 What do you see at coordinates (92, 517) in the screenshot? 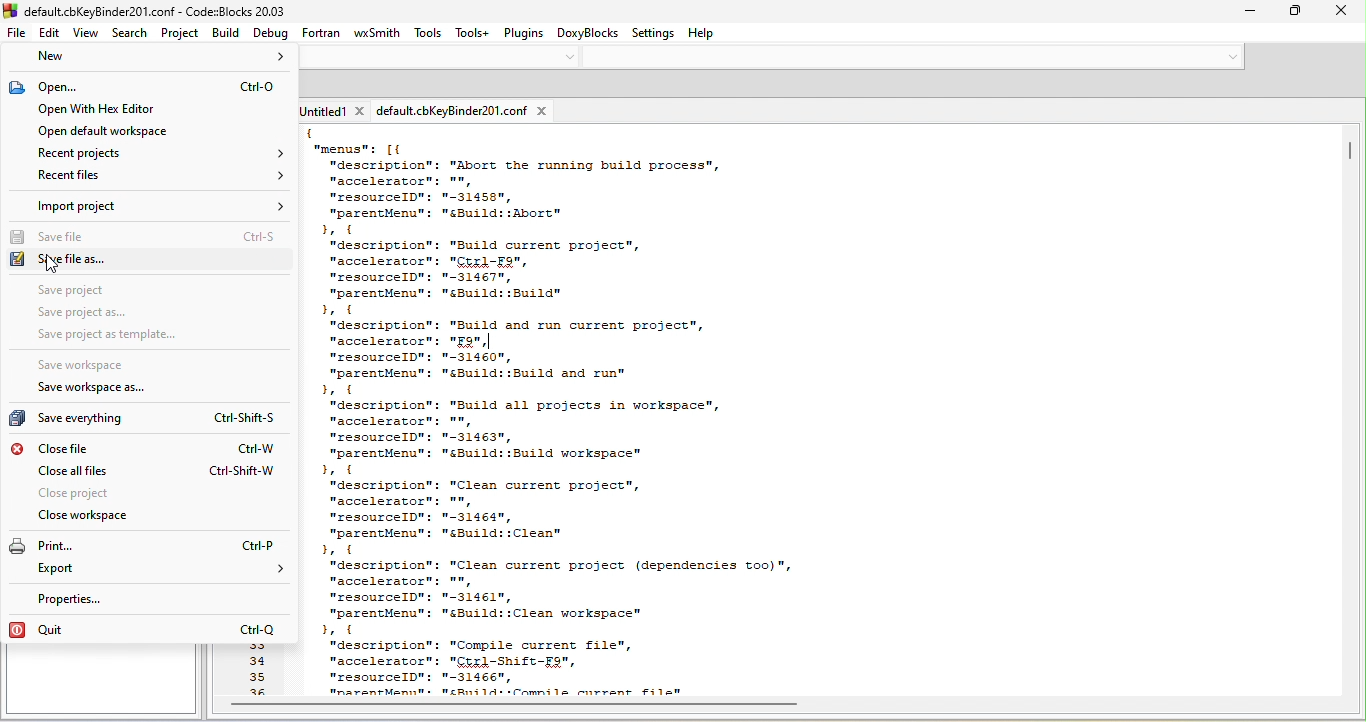
I see `close workspace` at bounding box center [92, 517].